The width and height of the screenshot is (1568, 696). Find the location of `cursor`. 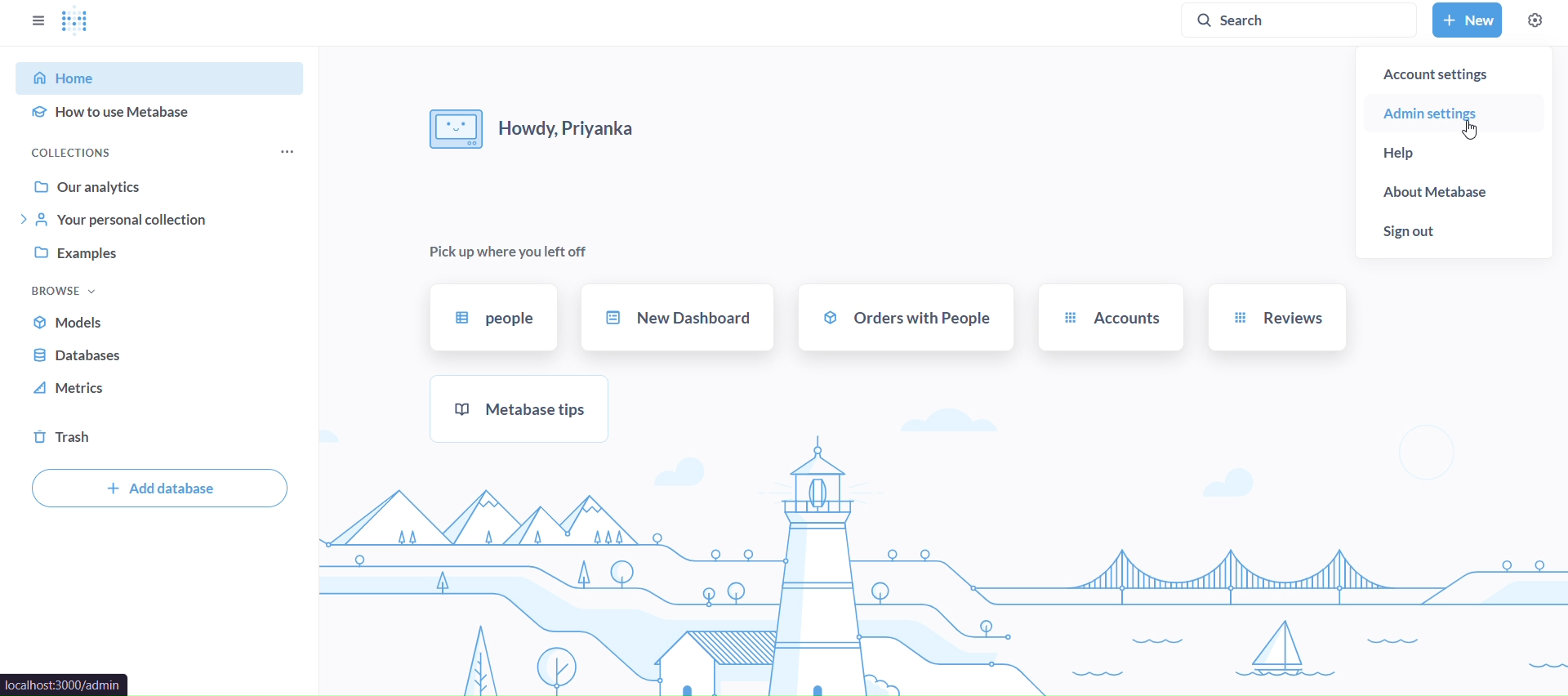

cursor is located at coordinates (1468, 129).